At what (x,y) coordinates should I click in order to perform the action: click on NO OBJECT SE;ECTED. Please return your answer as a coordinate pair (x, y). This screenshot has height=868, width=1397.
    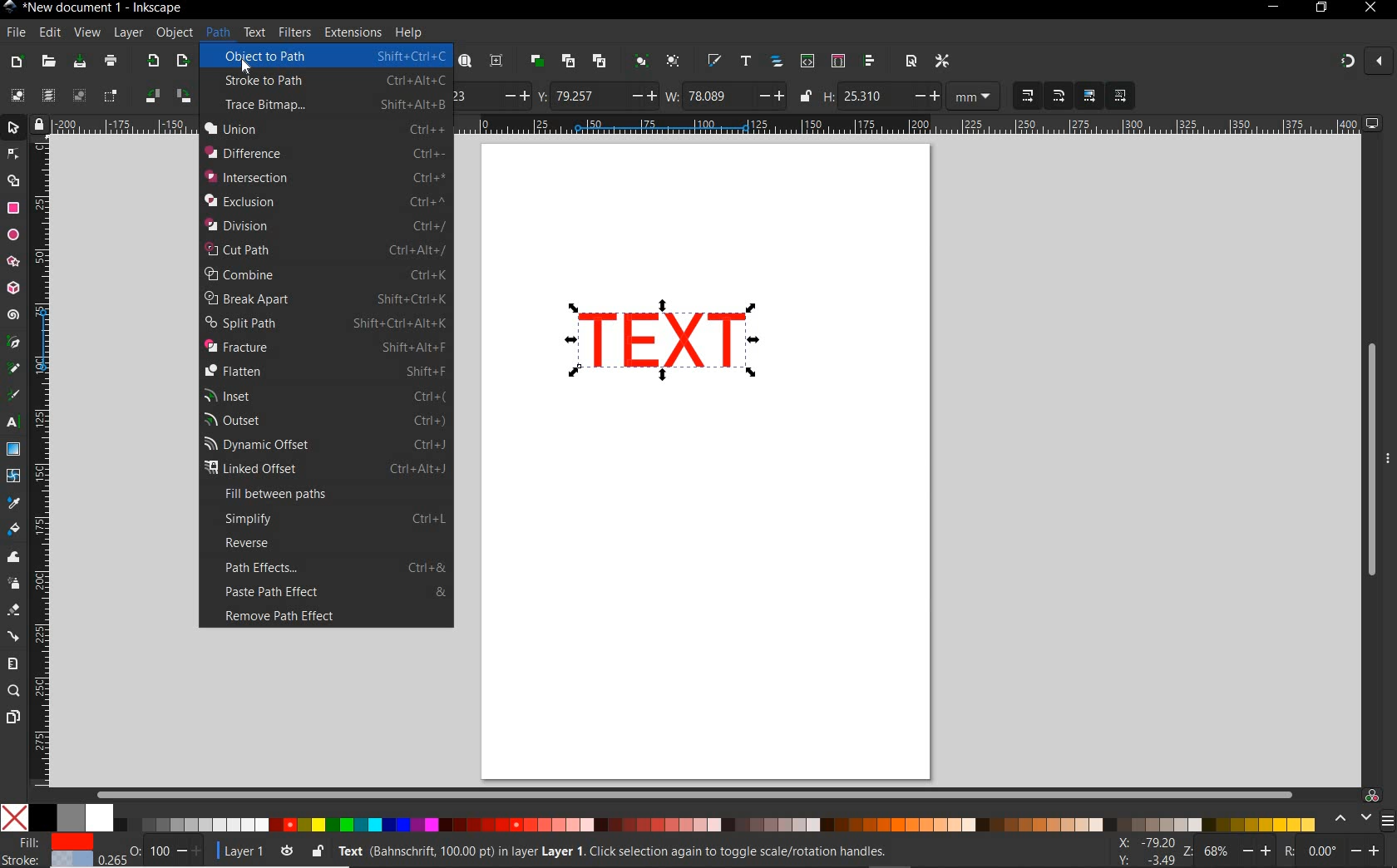
    Looking at the image, I should click on (633, 854).